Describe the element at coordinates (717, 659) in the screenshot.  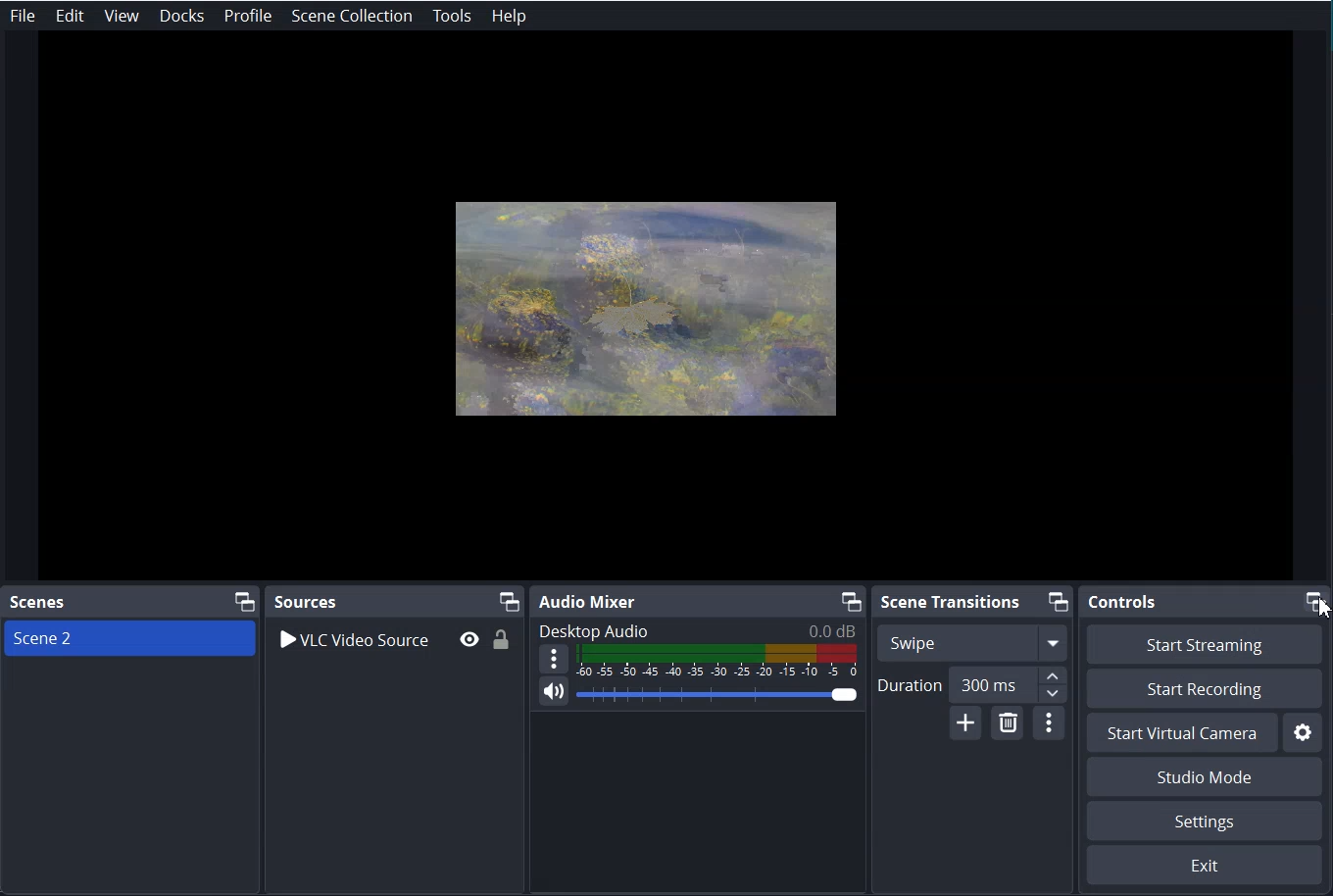
I see `Volume ` at that location.